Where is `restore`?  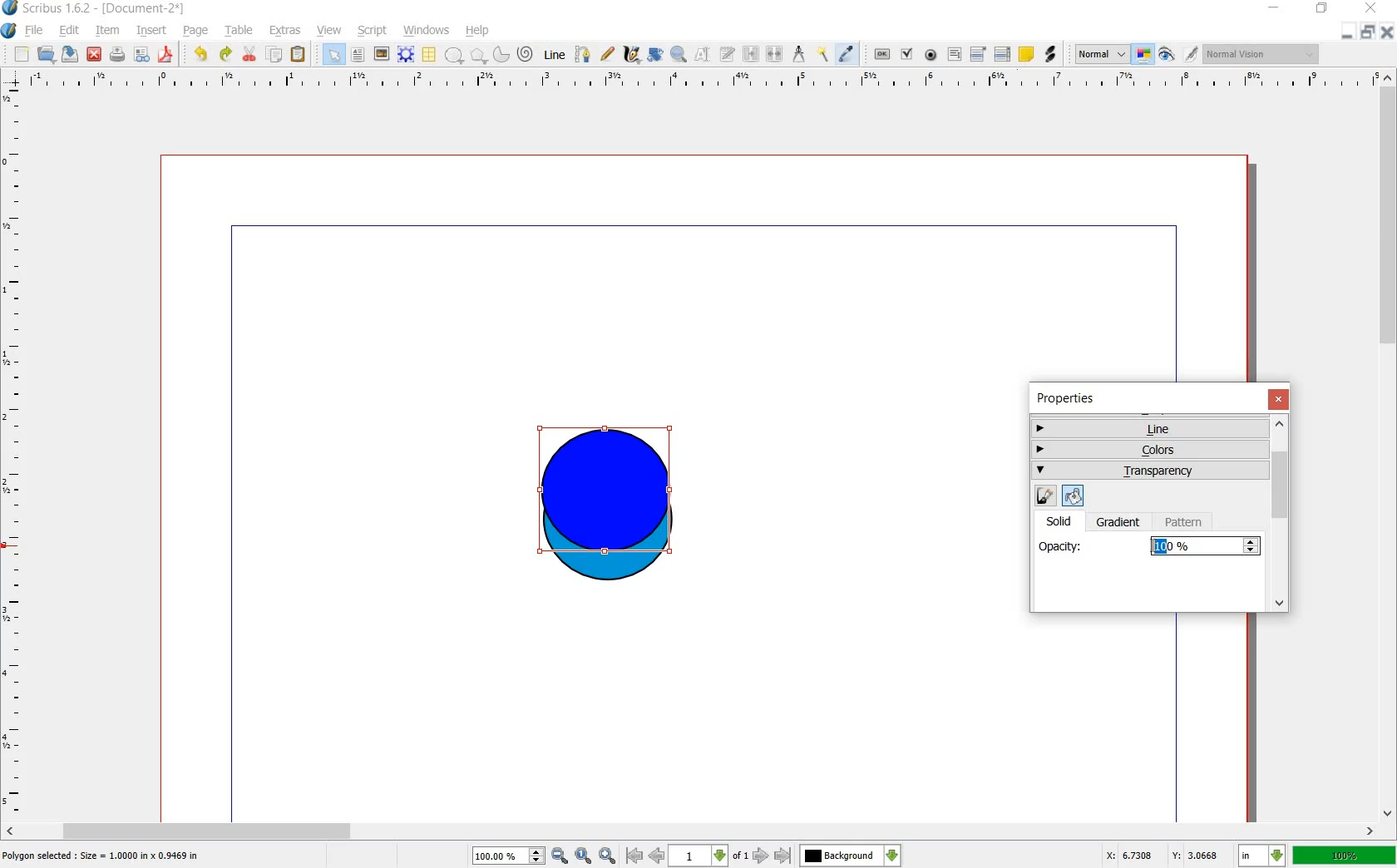 restore is located at coordinates (1368, 33).